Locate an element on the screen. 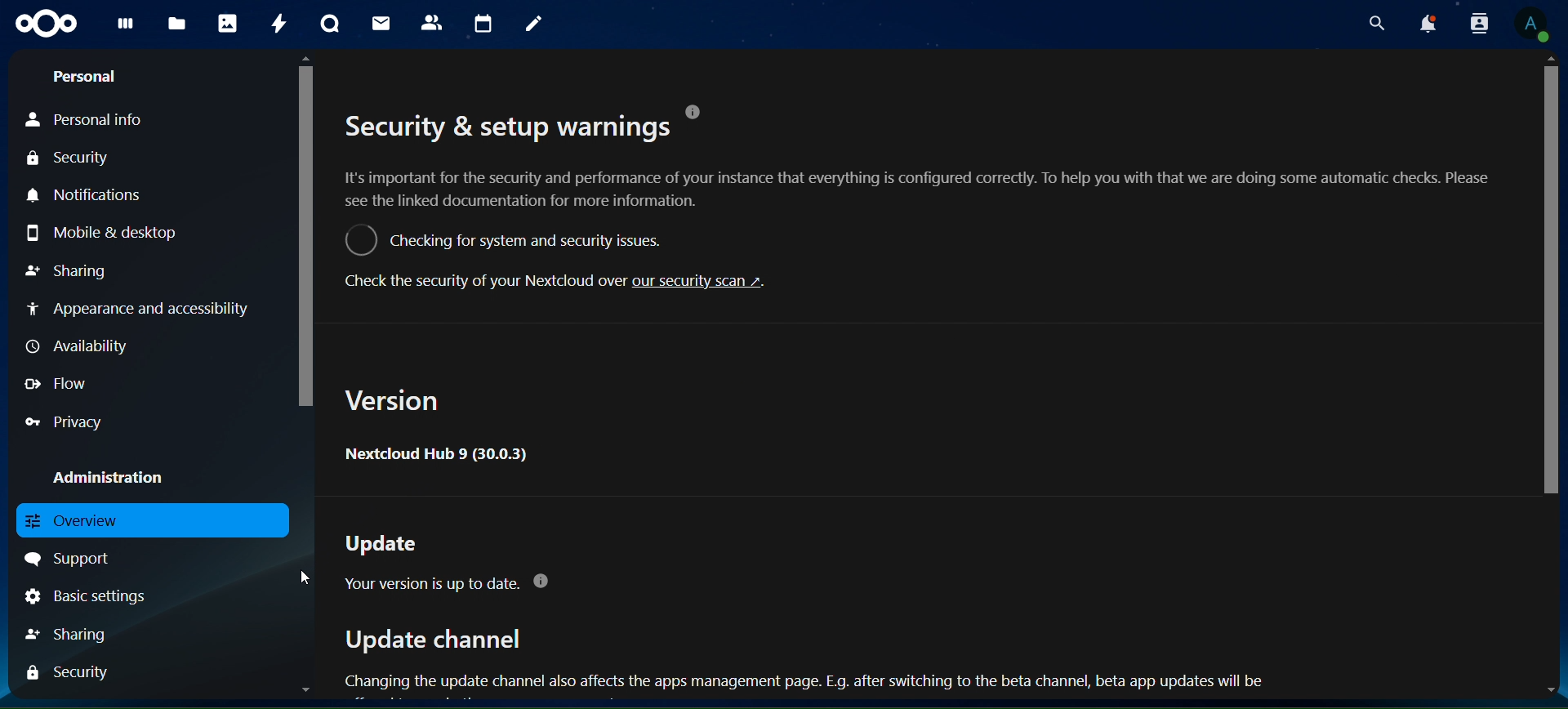  Version is located at coordinates (387, 397).